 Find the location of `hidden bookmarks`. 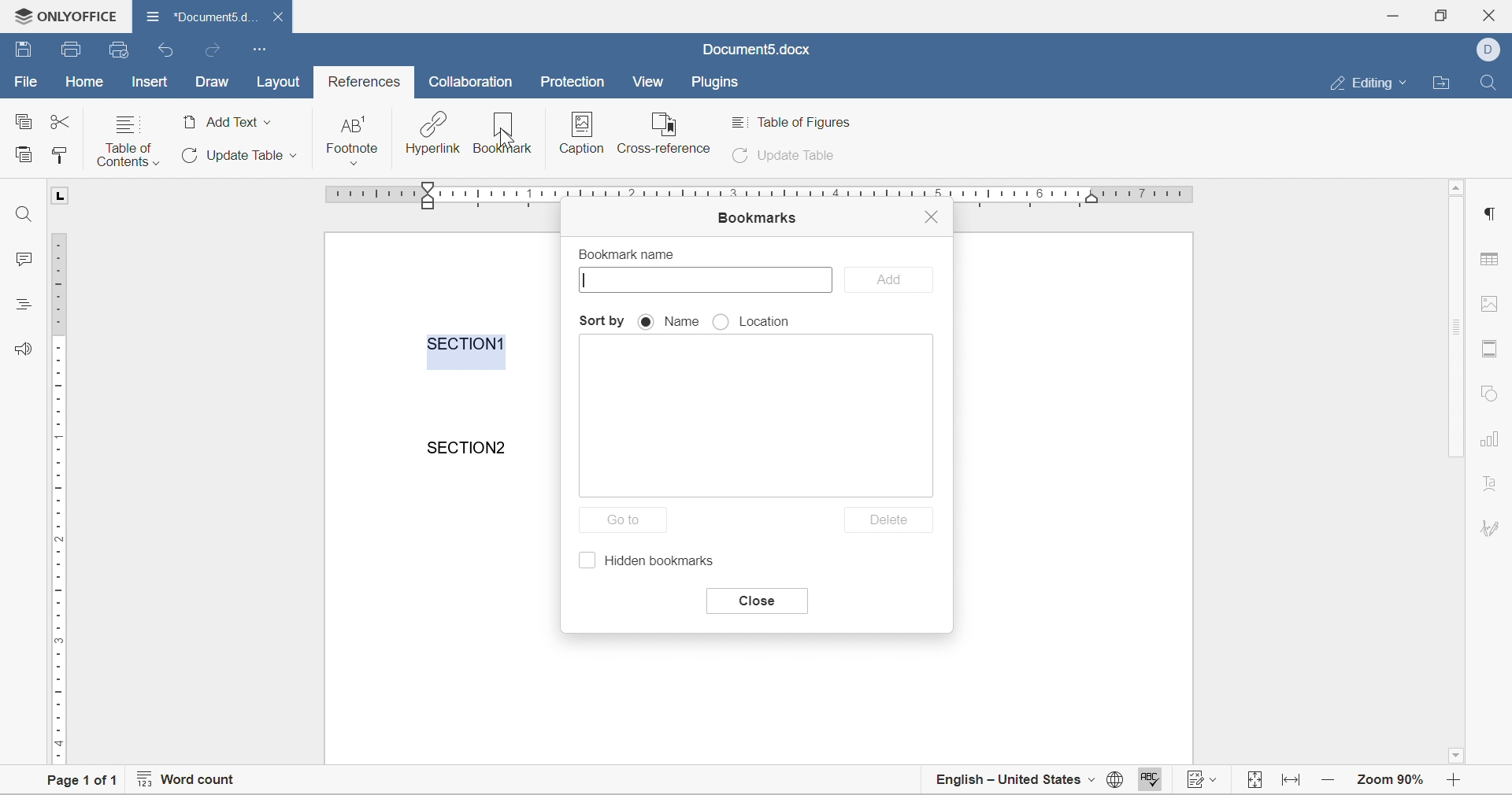

hidden bookmarks is located at coordinates (650, 562).